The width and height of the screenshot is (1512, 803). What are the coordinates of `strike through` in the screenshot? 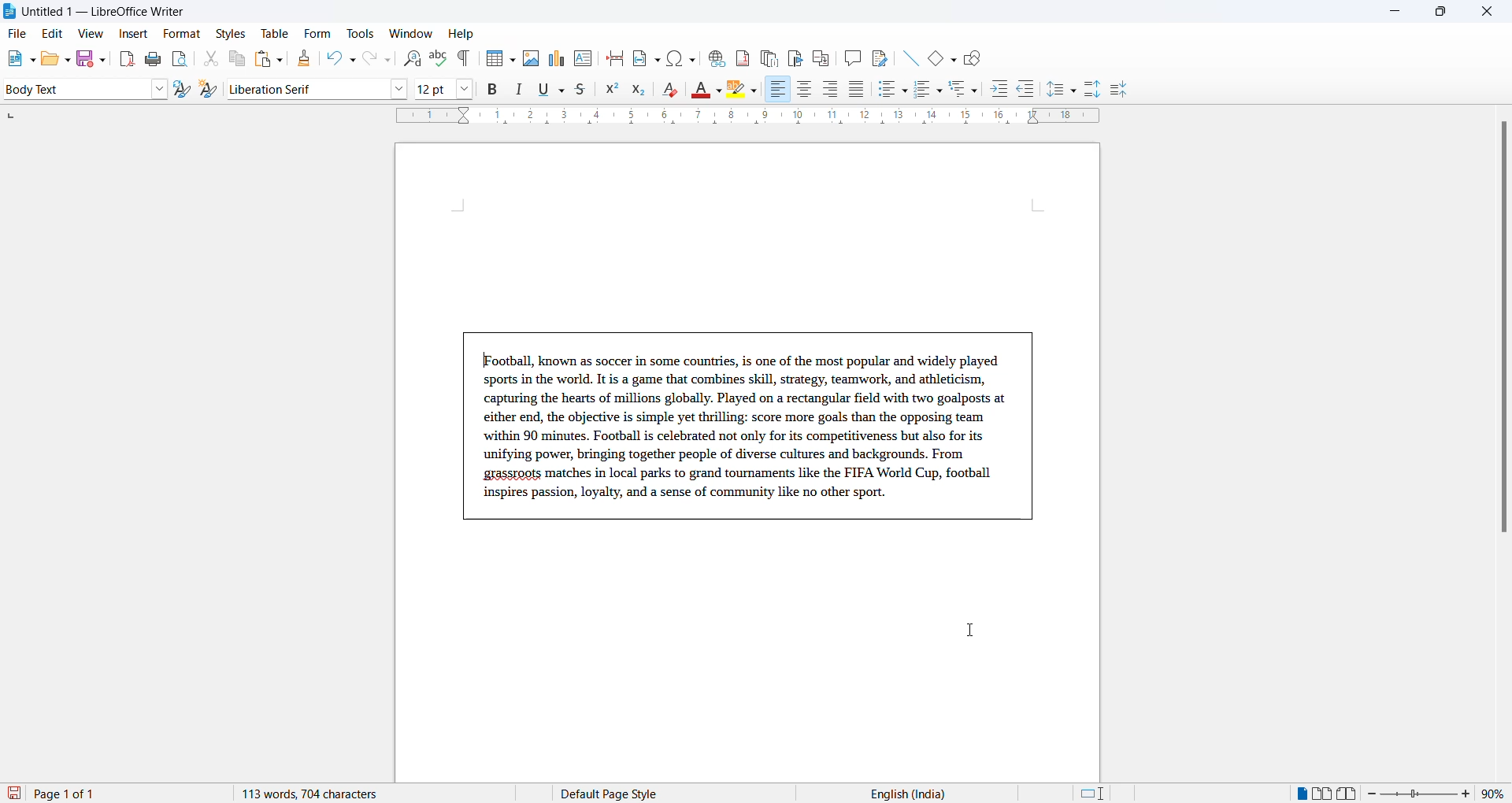 It's located at (587, 90).